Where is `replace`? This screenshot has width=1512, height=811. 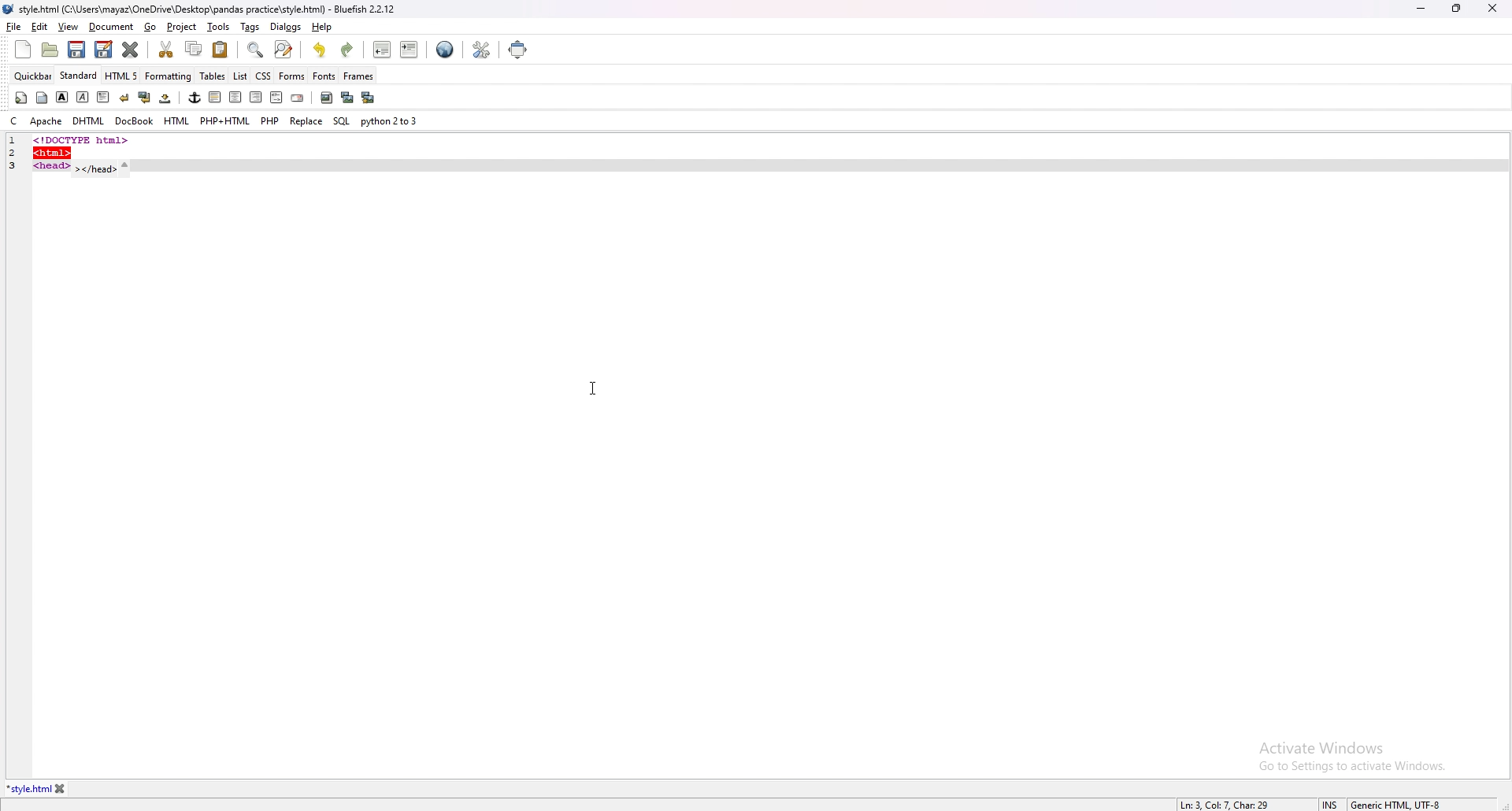 replace is located at coordinates (306, 120).